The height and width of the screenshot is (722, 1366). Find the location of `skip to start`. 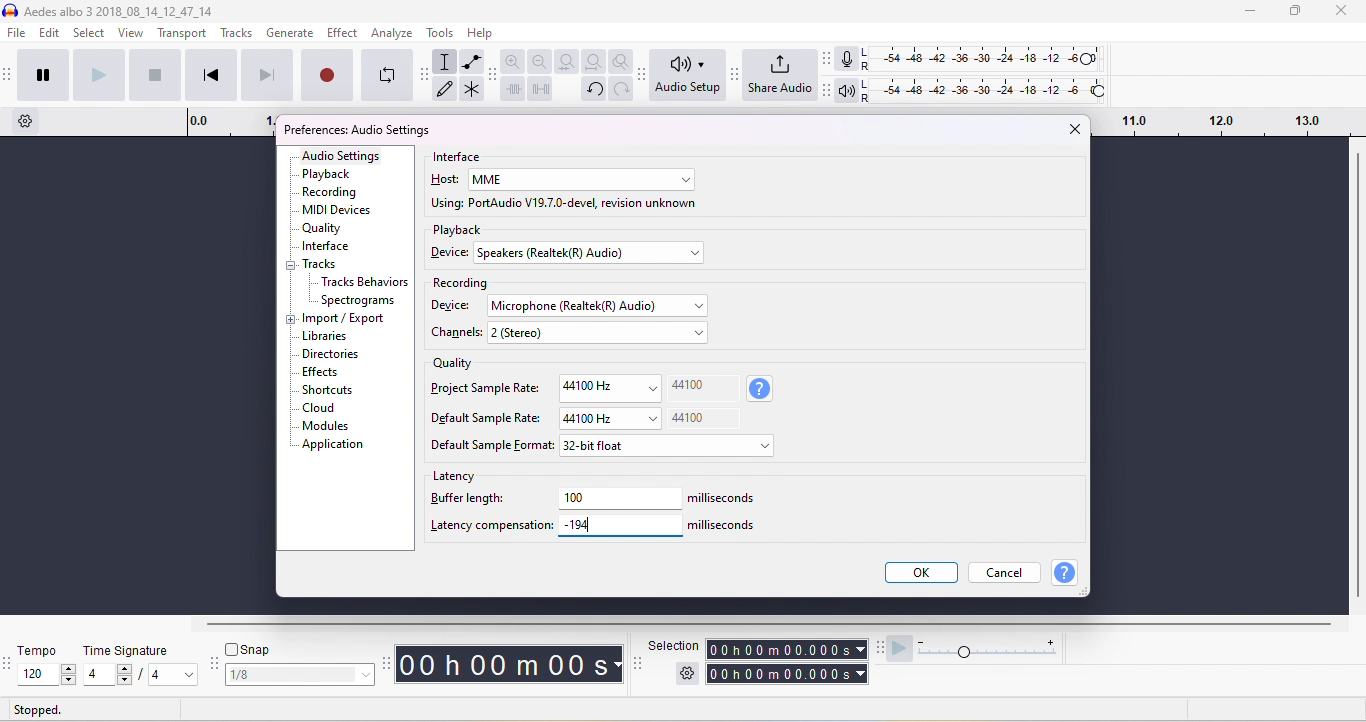

skip to start is located at coordinates (209, 74).